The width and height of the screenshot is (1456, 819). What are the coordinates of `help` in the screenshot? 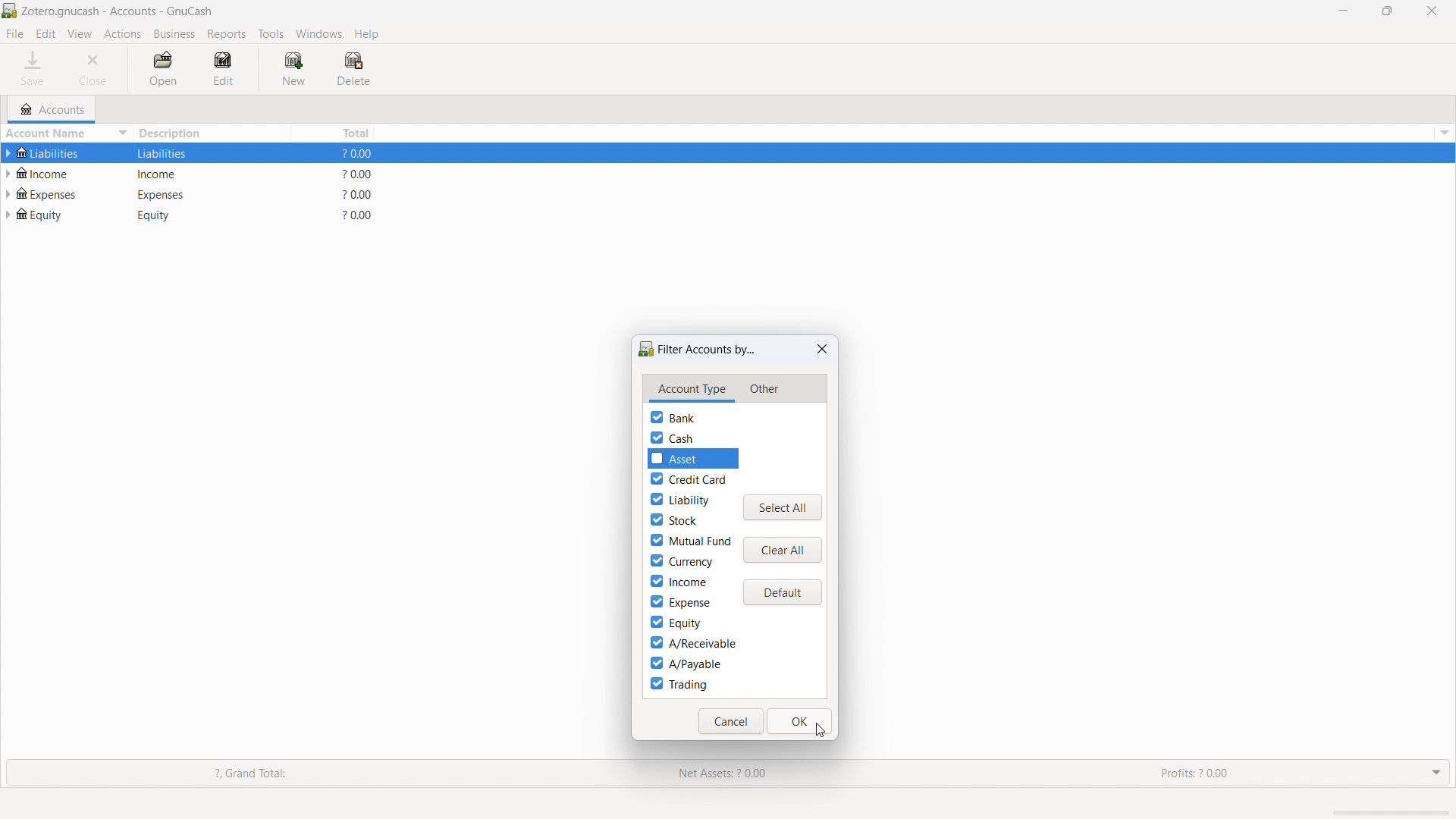 It's located at (366, 33).